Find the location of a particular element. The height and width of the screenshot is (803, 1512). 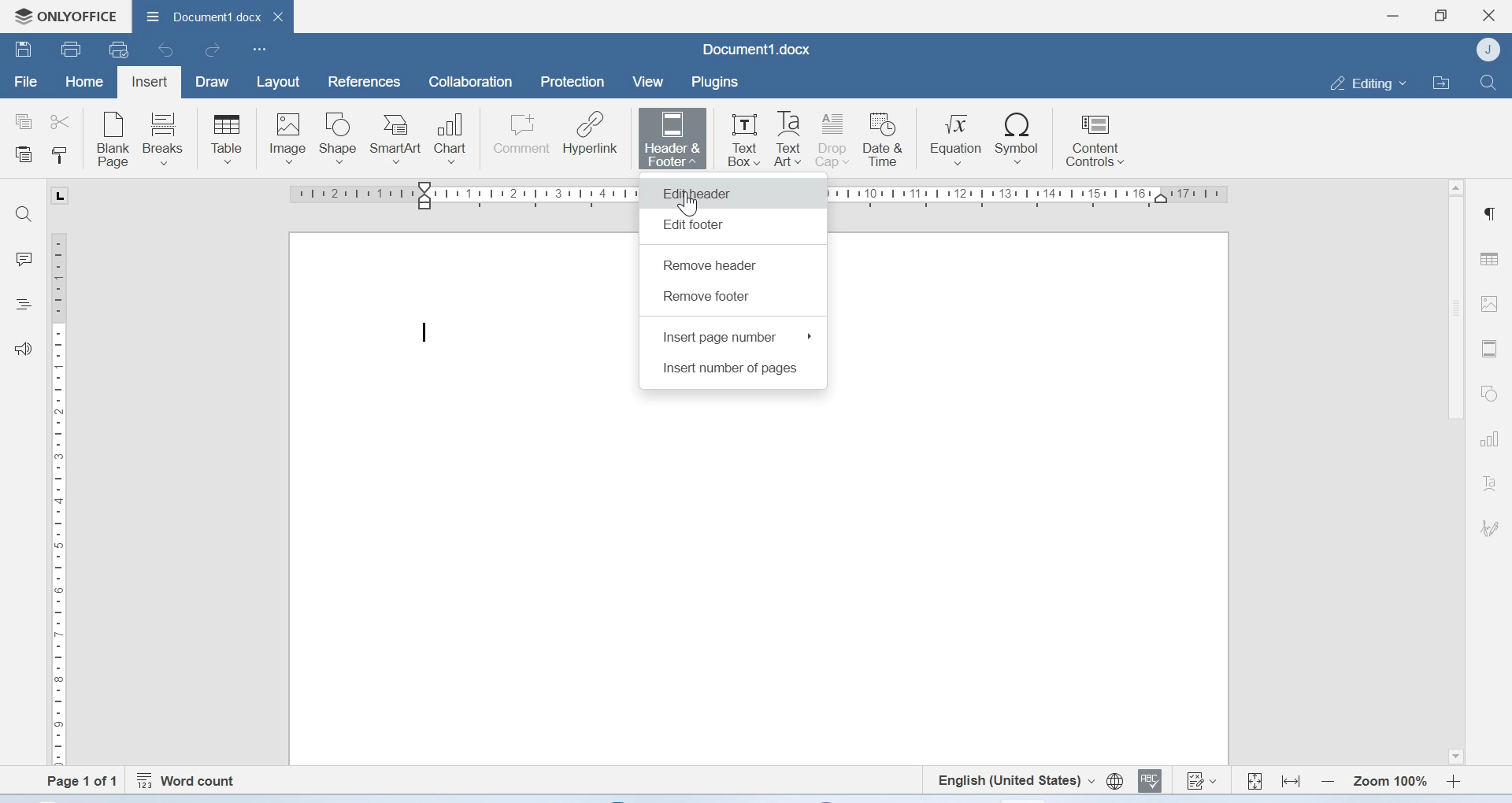

Scroll up is located at coordinates (1455, 187).